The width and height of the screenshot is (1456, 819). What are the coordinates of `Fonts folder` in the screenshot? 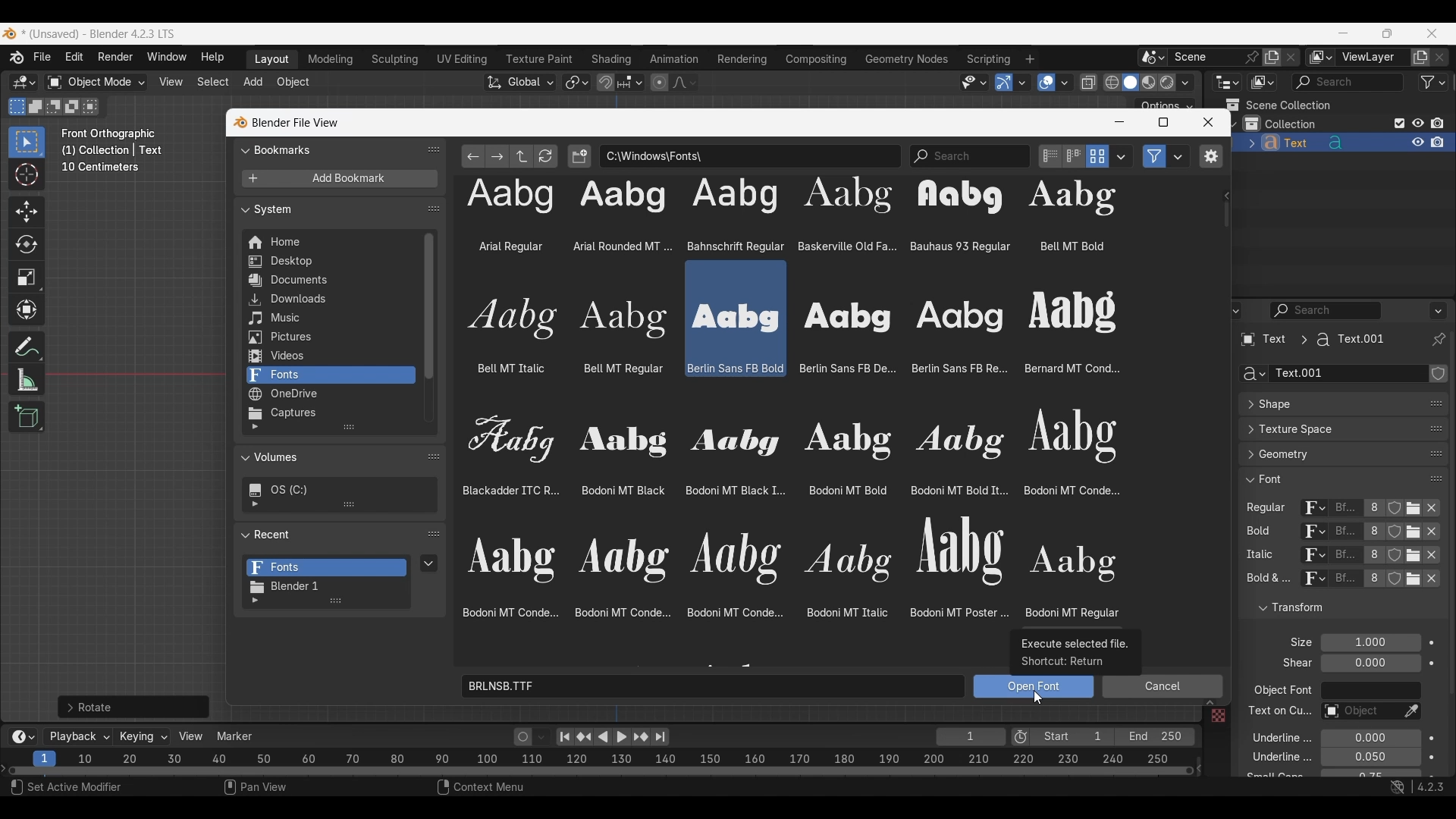 It's located at (327, 568).